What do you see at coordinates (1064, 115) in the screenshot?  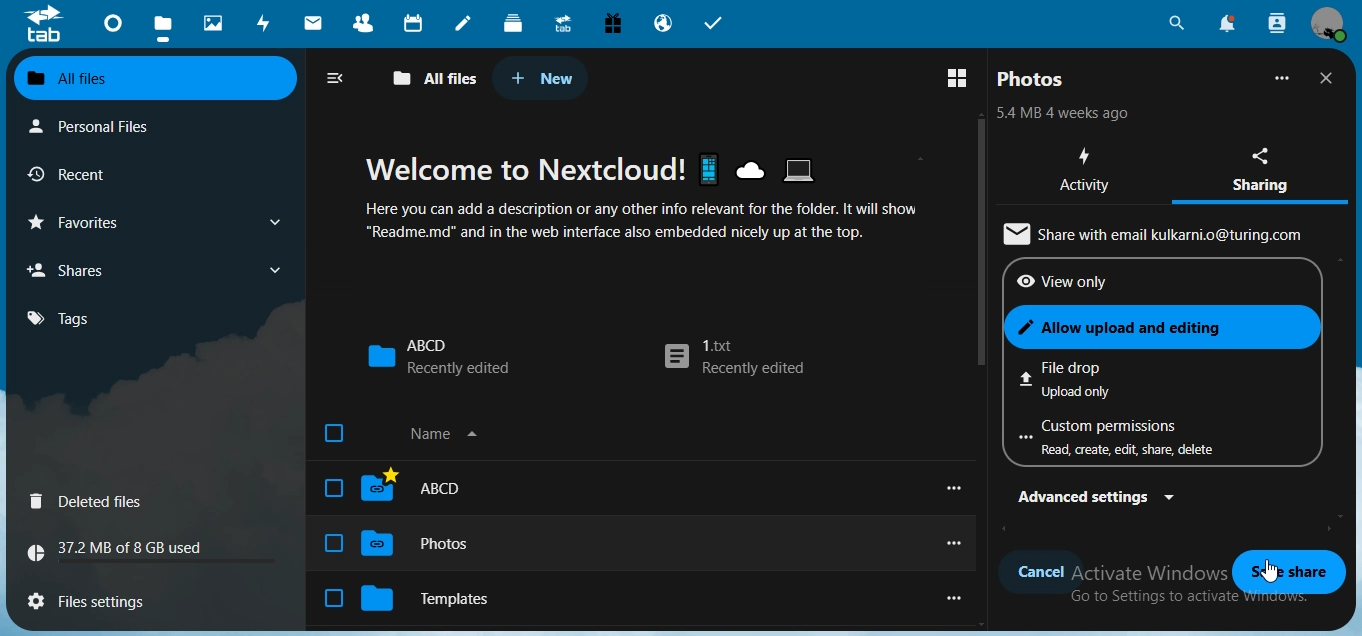 I see `text` at bounding box center [1064, 115].